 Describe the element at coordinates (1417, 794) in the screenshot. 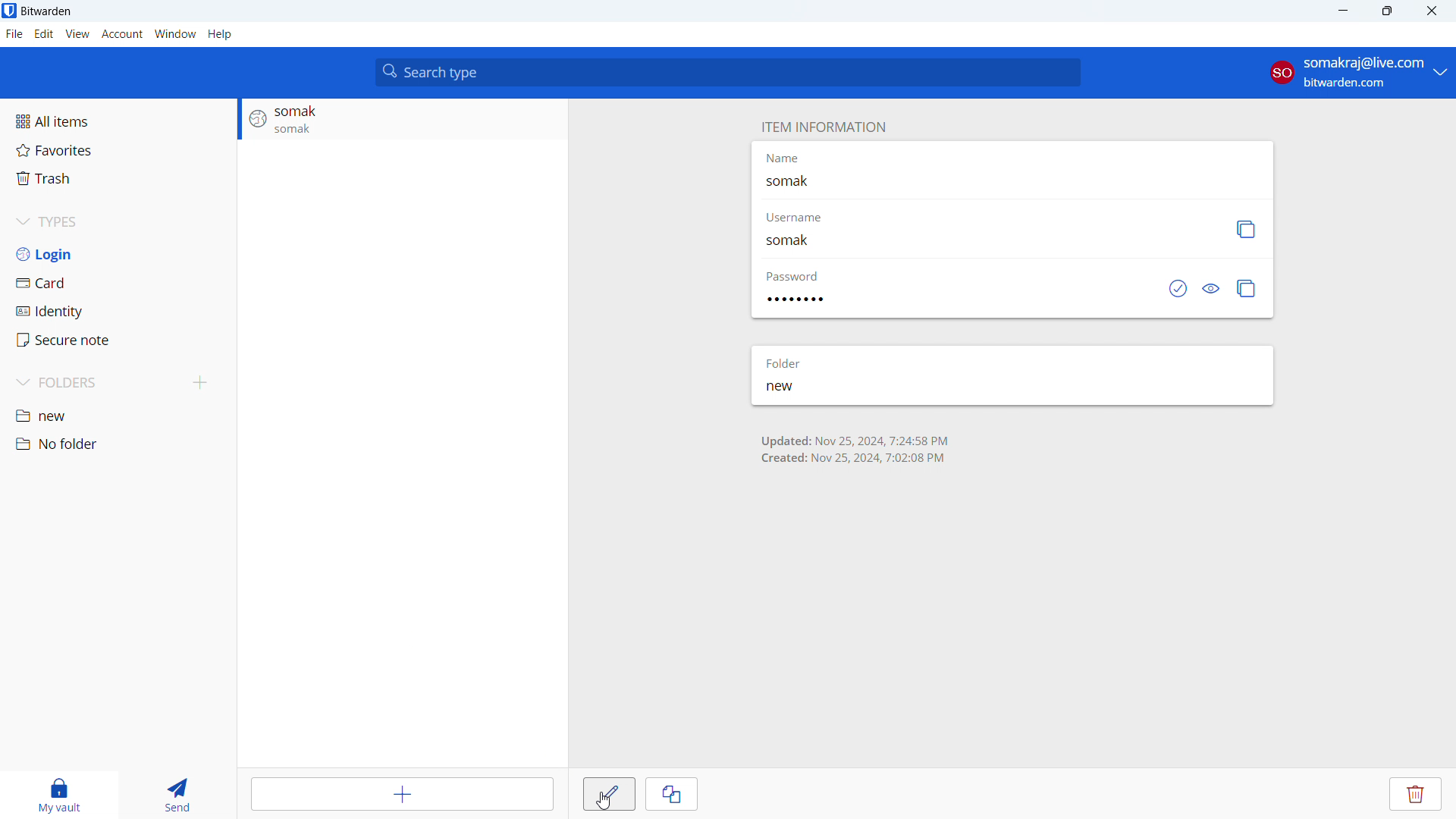

I see `delete` at that location.